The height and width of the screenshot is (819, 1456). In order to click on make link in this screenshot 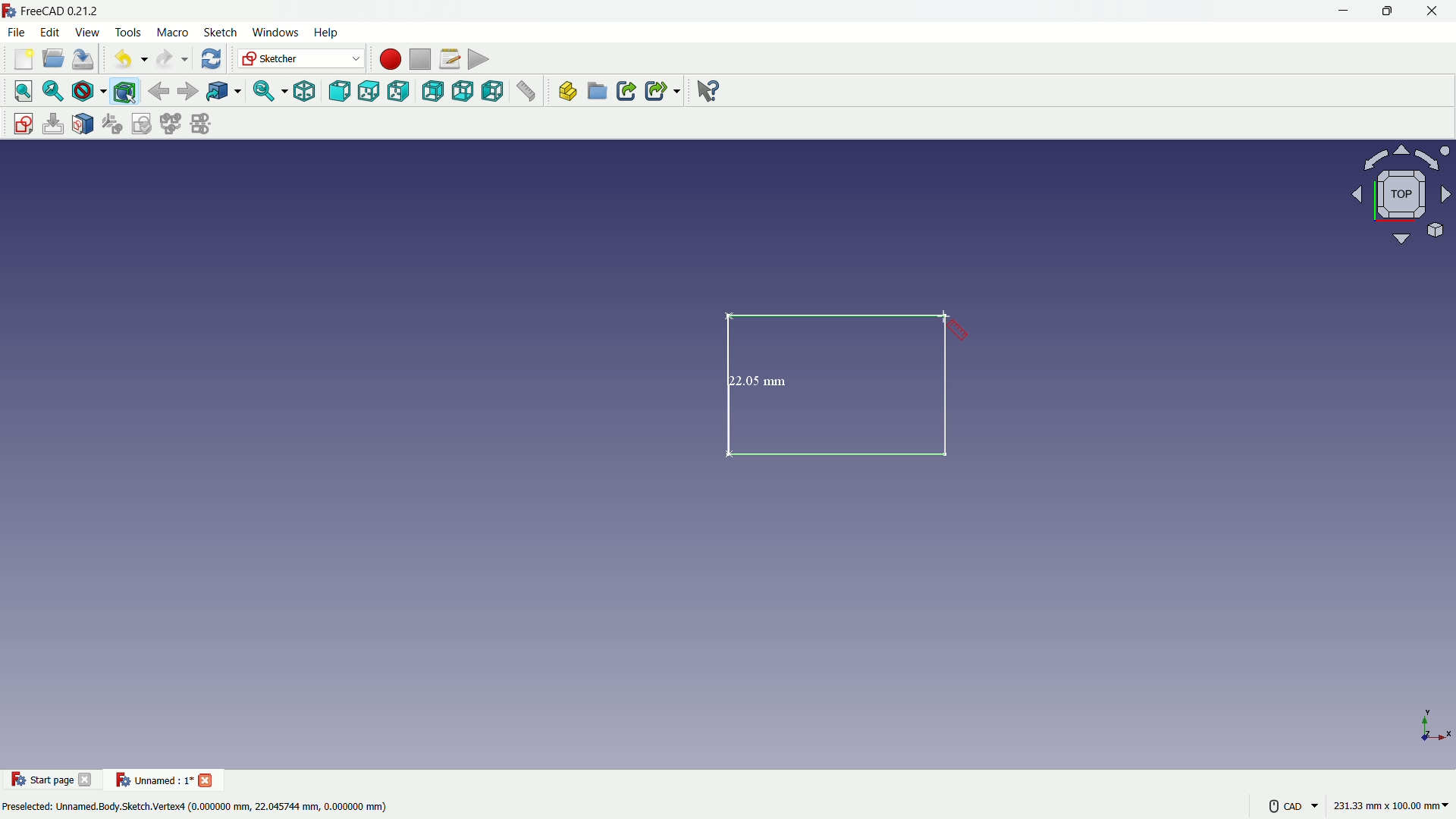, I will do `click(626, 93)`.